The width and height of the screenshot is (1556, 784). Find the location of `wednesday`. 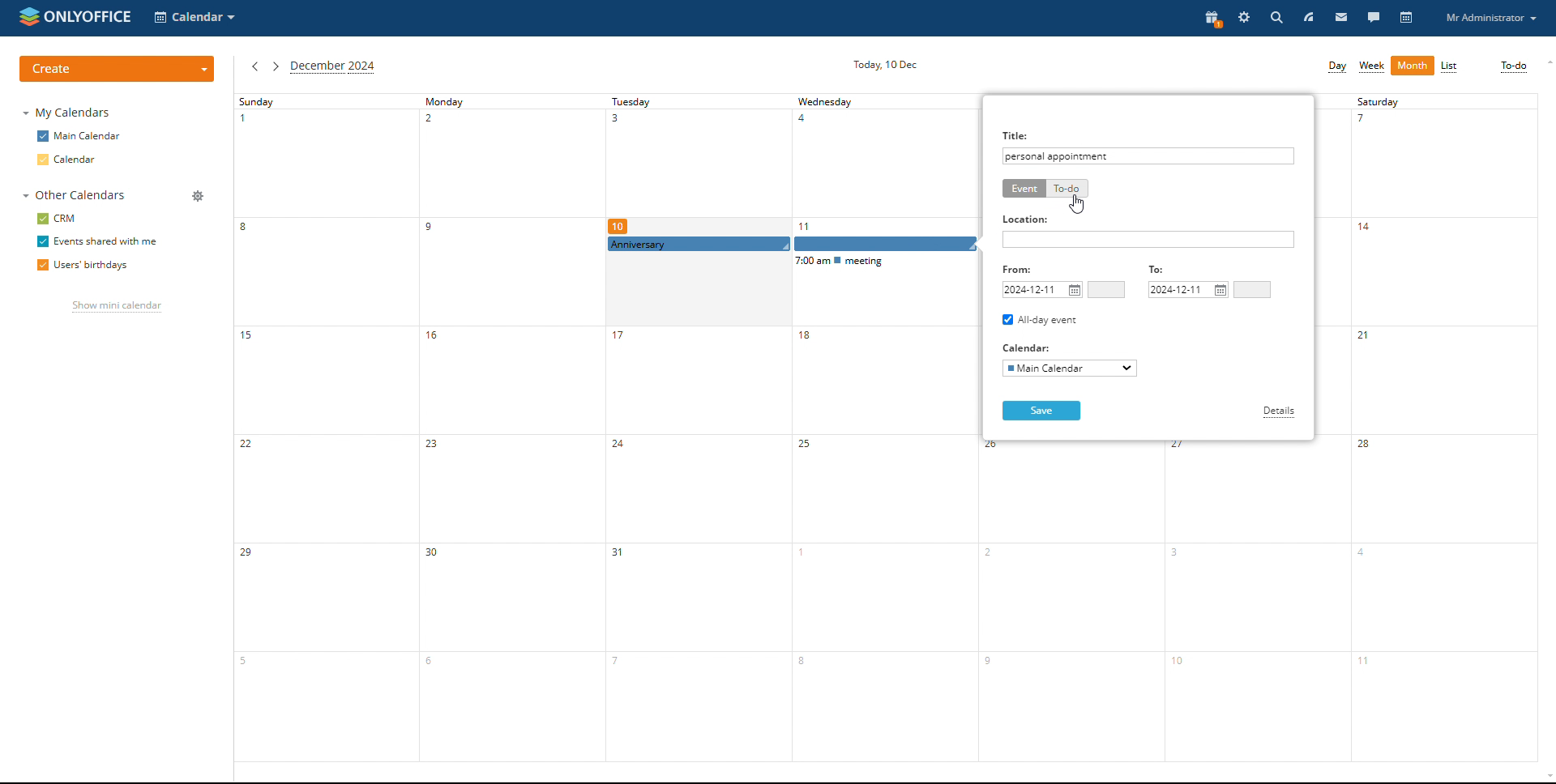

wednesday is located at coordinates (883, 428).